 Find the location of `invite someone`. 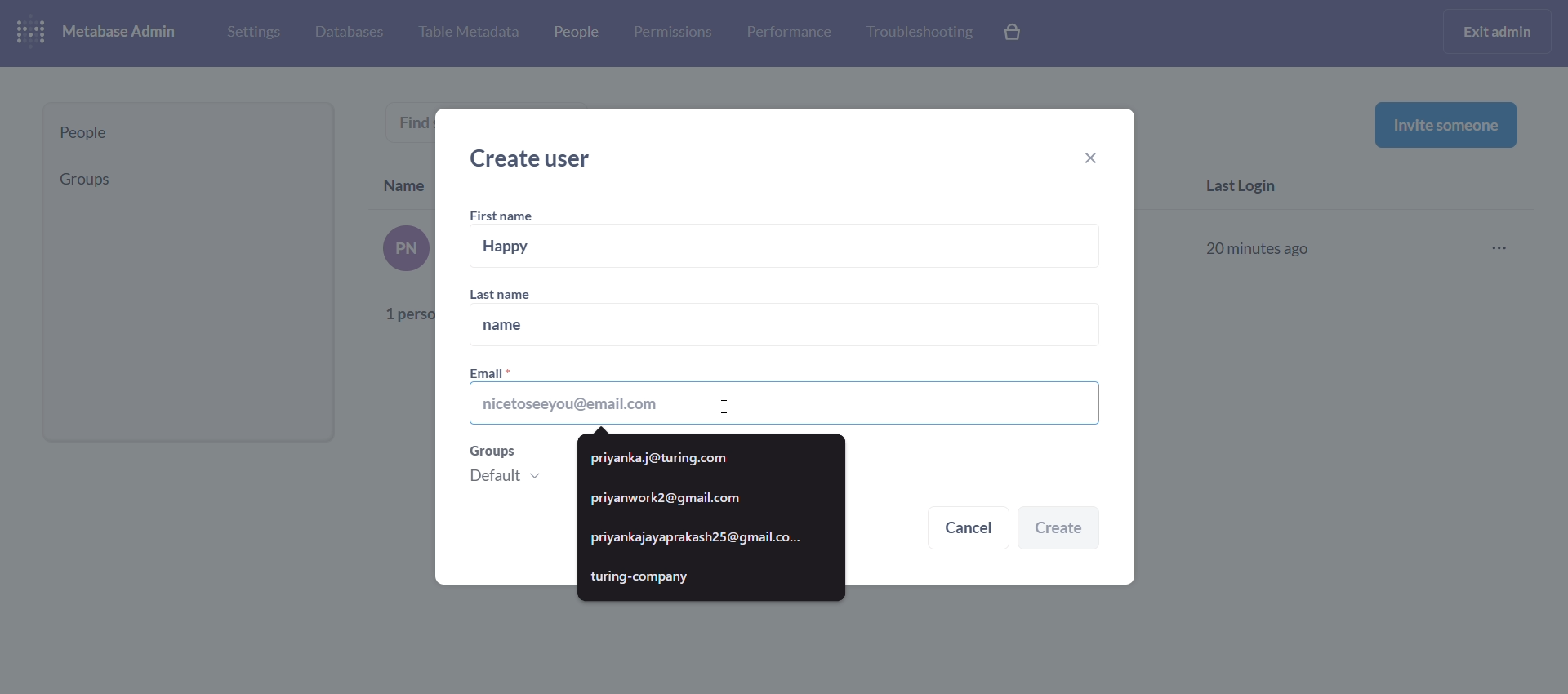

invite someone is located at coordinates (1445, 124).